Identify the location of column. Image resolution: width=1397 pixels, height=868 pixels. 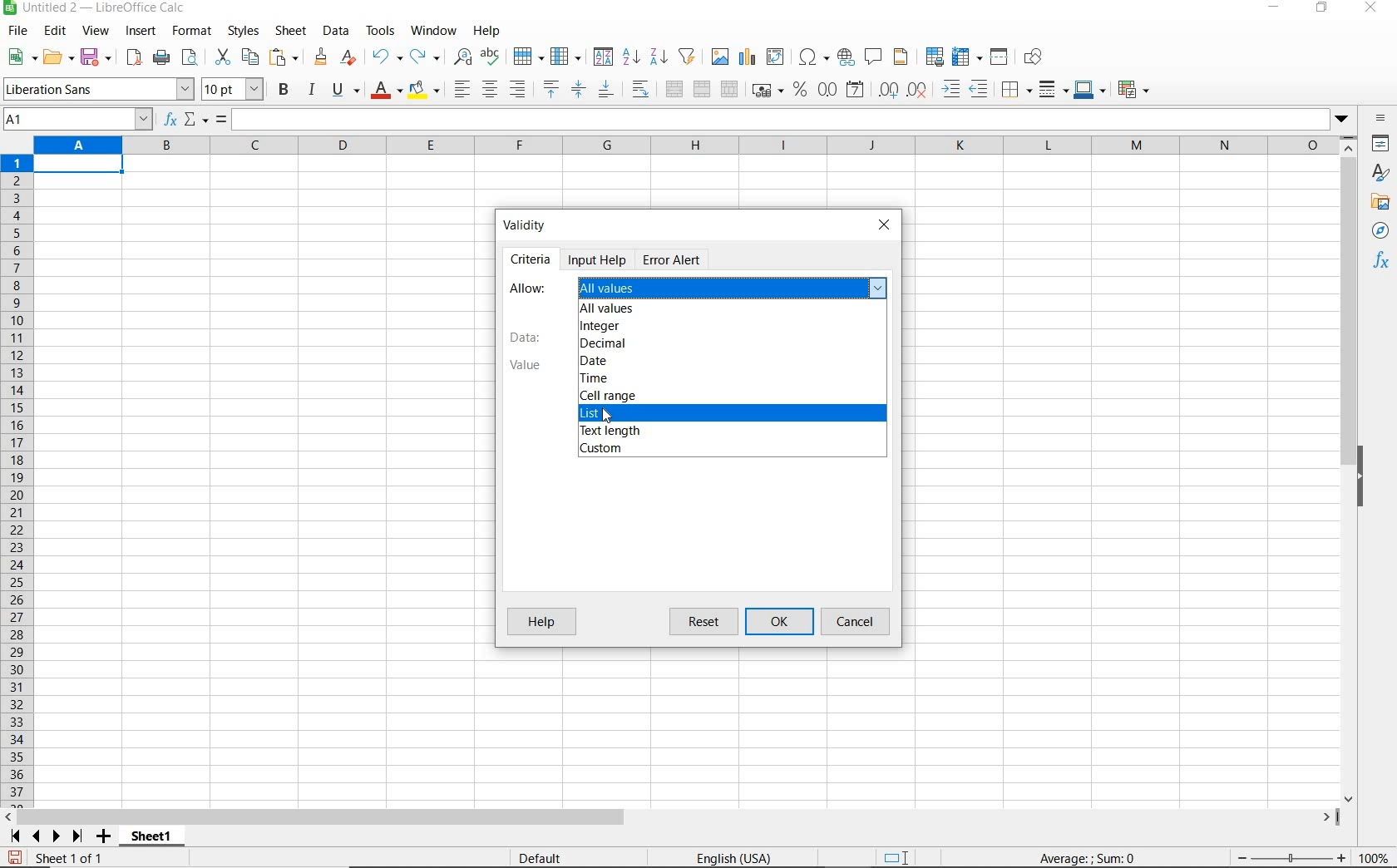
(567, 57).